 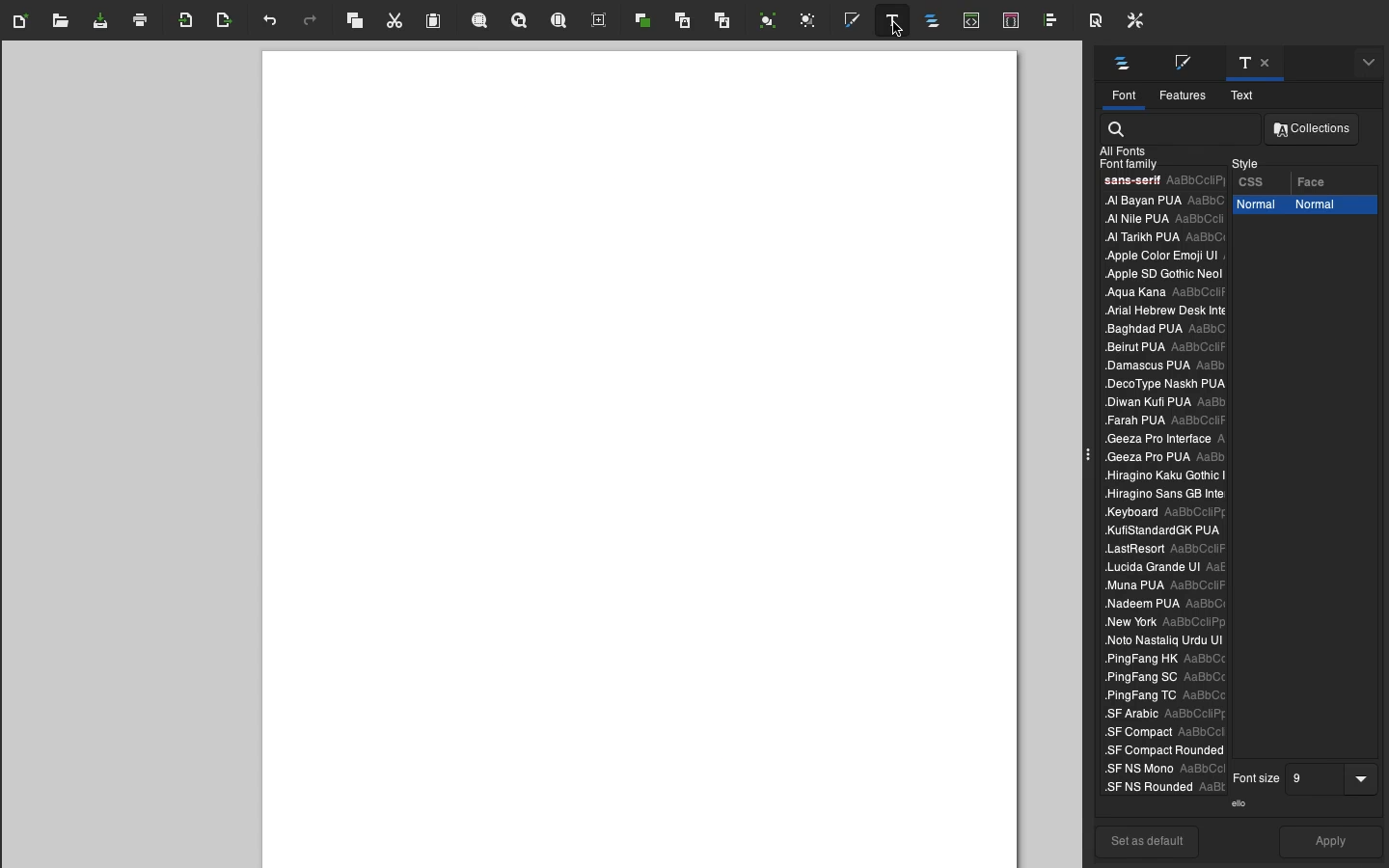 What do you see at coordinates (1160, 201) in the screenshot?
I see `.Al Bayan PUA` at bounding box center [1160, 201].